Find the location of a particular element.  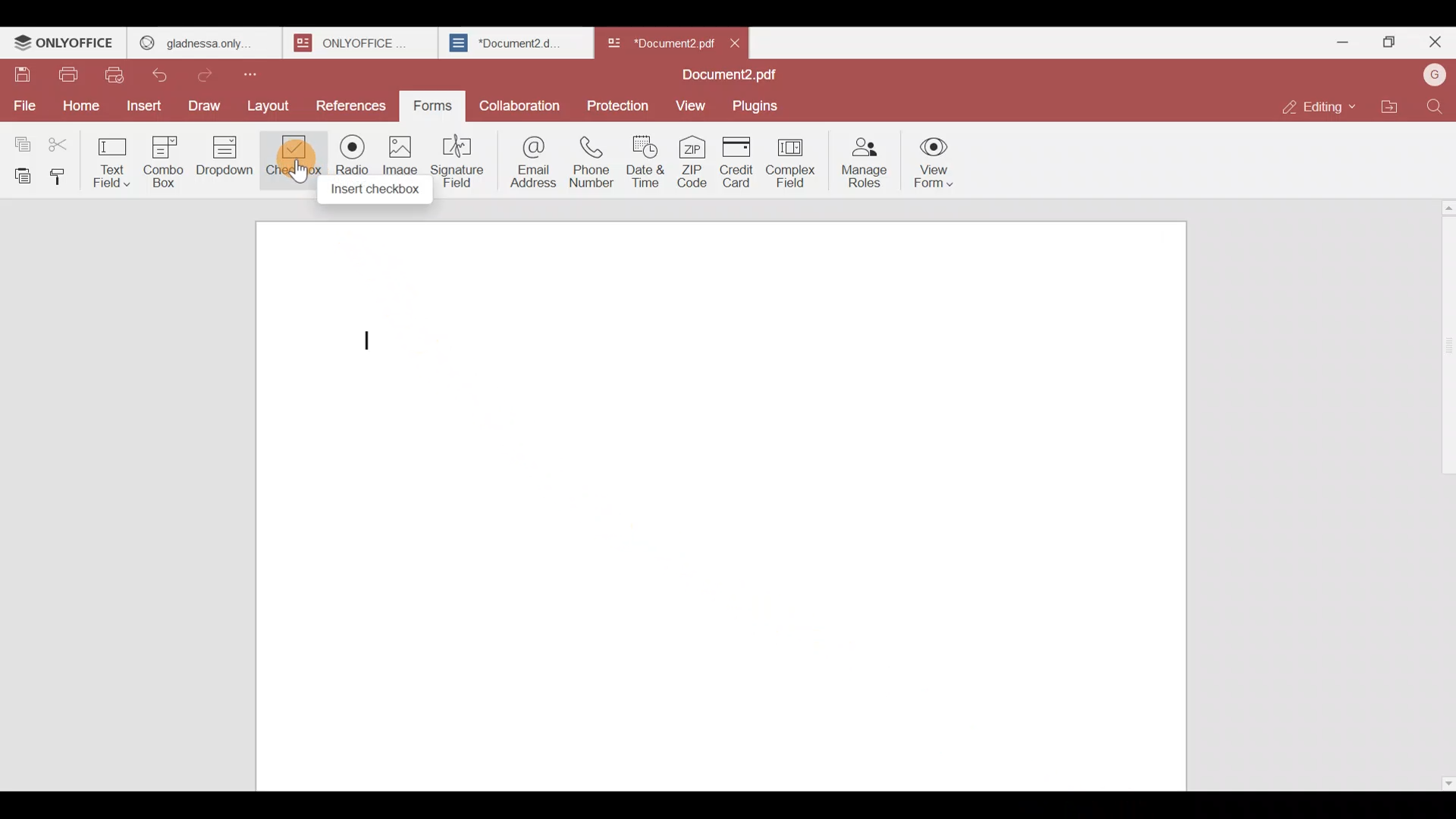

Protection is located at coordinates (619, 105).